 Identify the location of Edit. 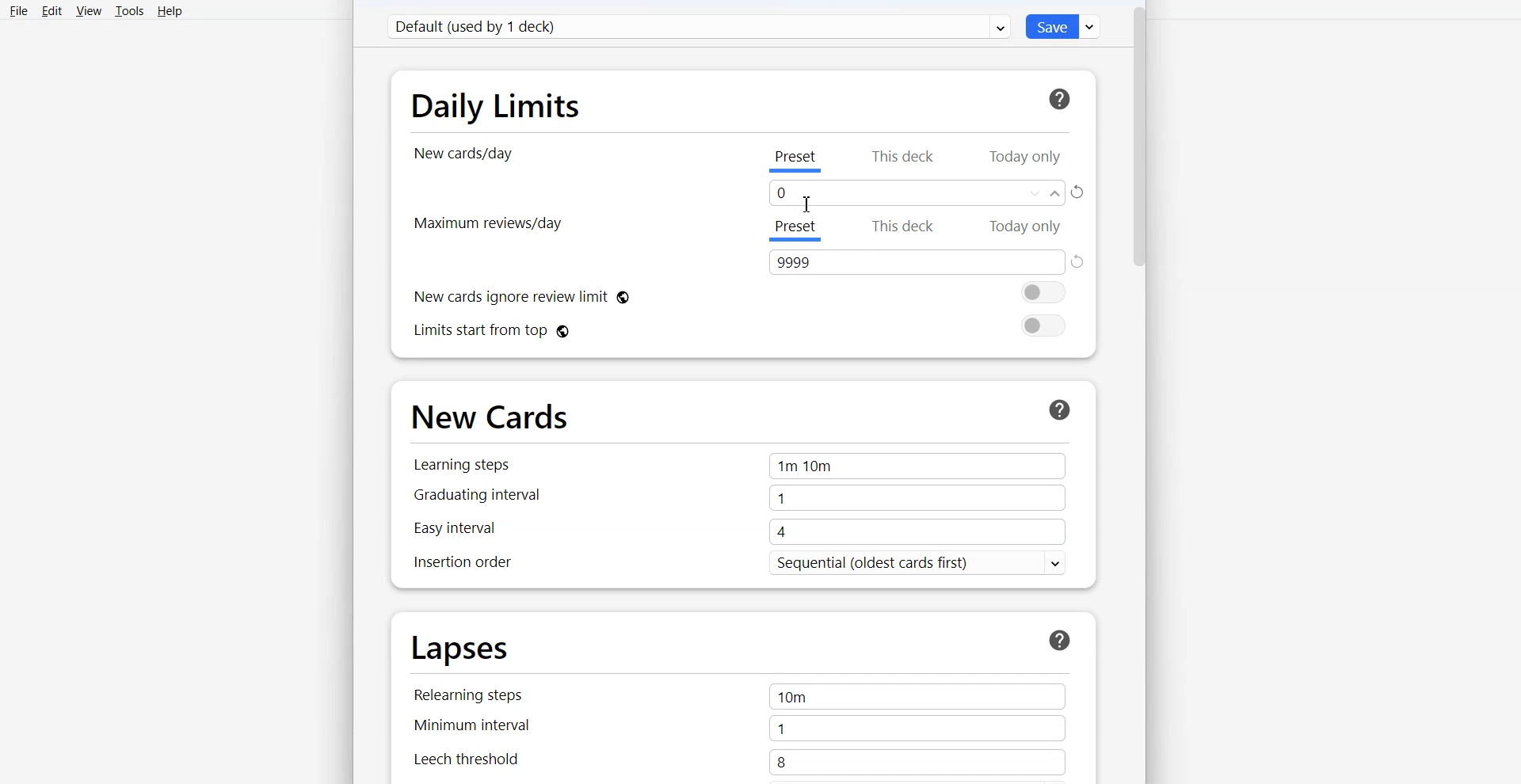
(51, 10).